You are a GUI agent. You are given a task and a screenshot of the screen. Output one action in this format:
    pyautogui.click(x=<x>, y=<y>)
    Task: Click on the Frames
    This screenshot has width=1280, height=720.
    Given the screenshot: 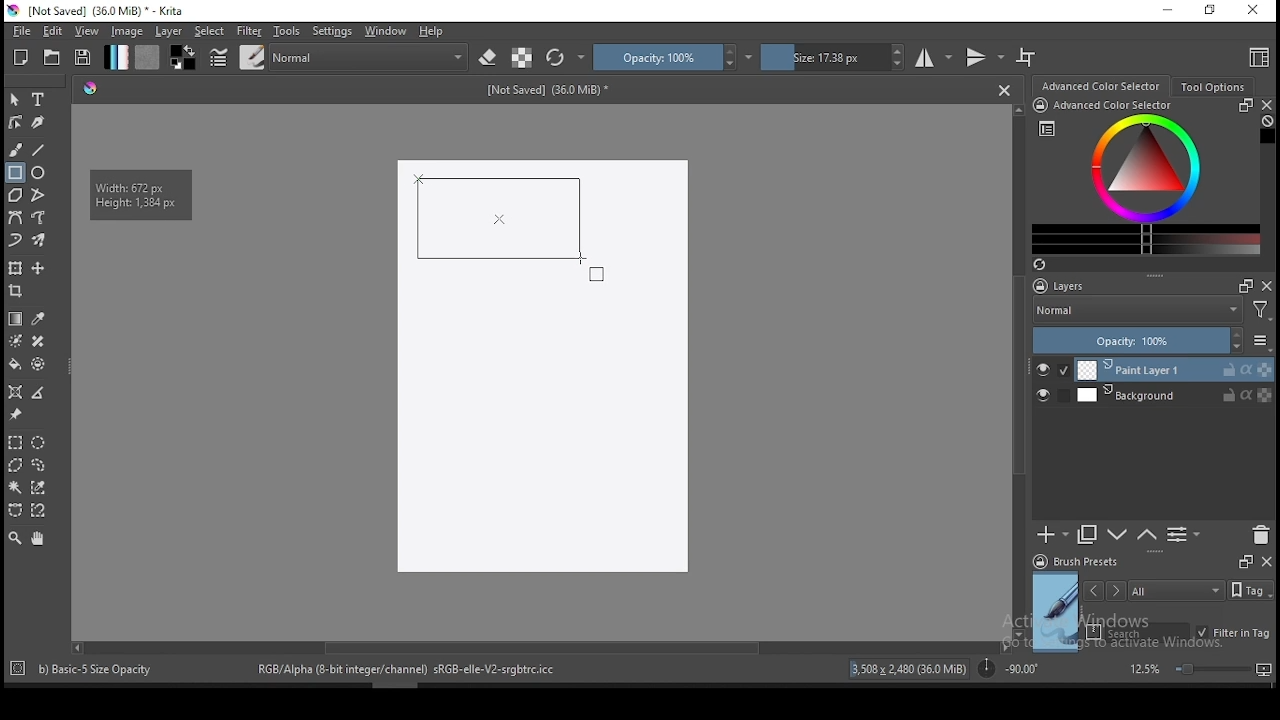 What is the action you would take?
    pyautogui.click(x=1240, y=285)
    